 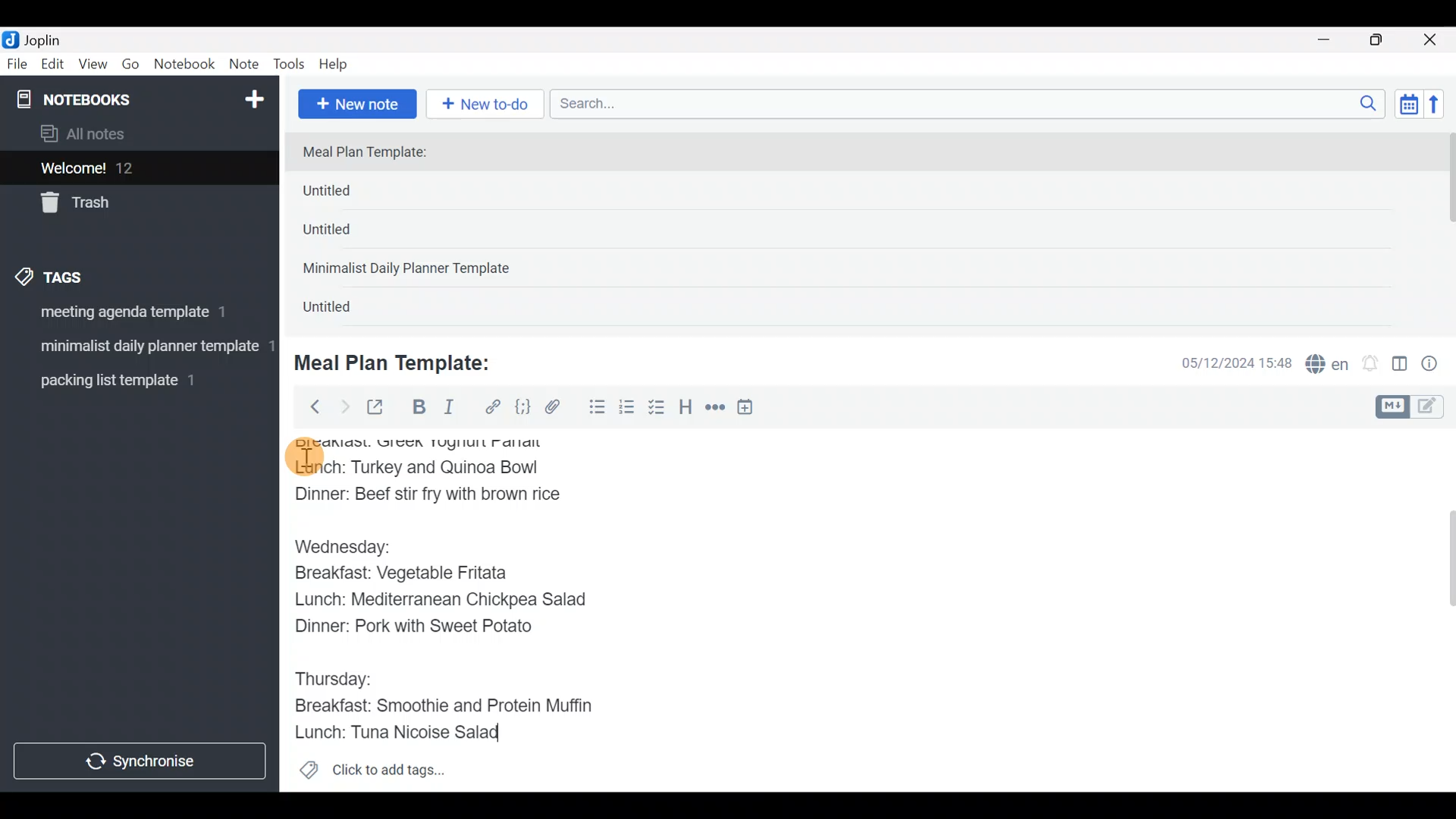 I want to click on Notebook, so click(x=185, y=64).